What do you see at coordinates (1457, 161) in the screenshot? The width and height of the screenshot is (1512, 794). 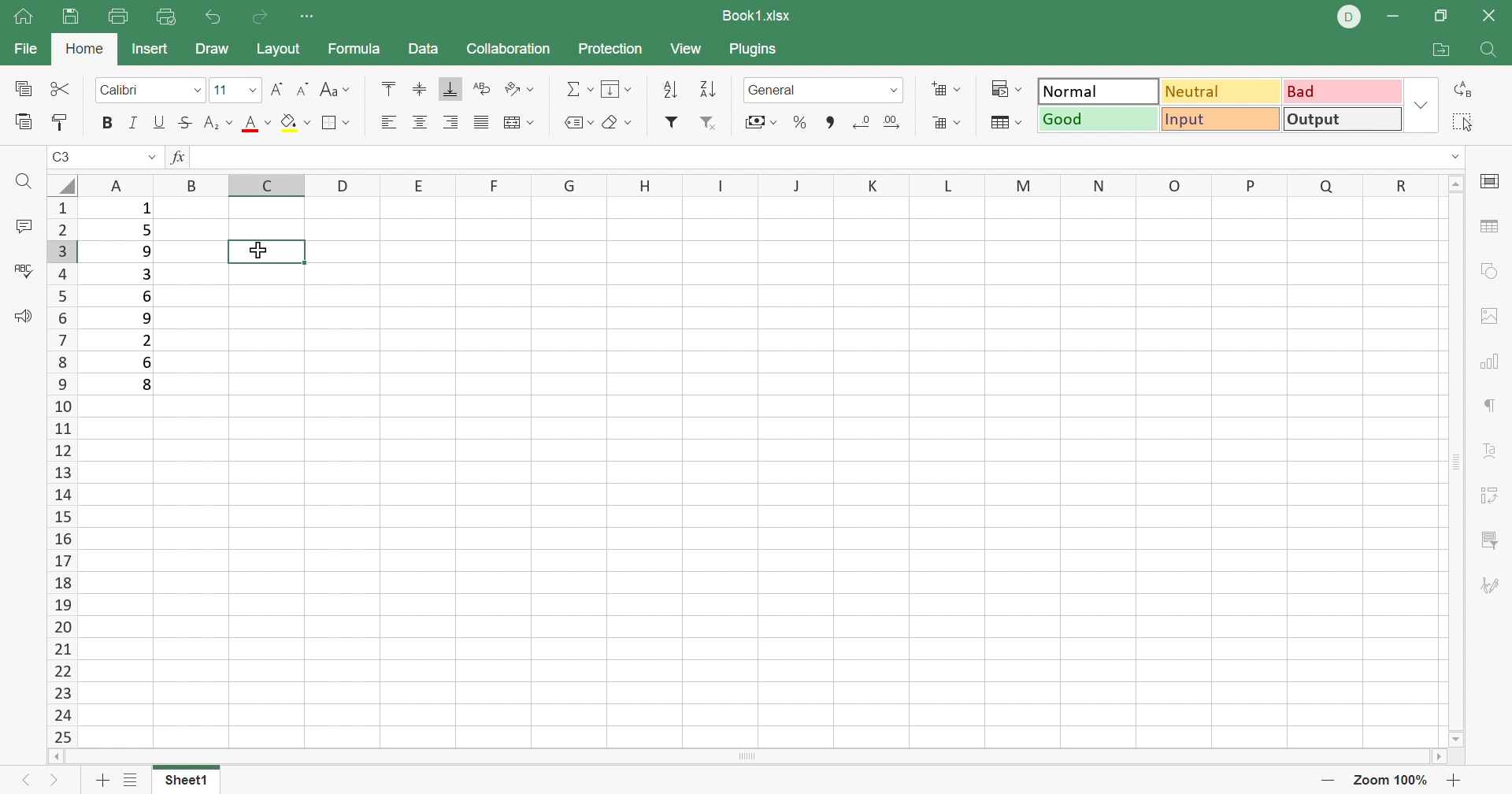 I see `Drop Down` at bounding box center [1457, 161].